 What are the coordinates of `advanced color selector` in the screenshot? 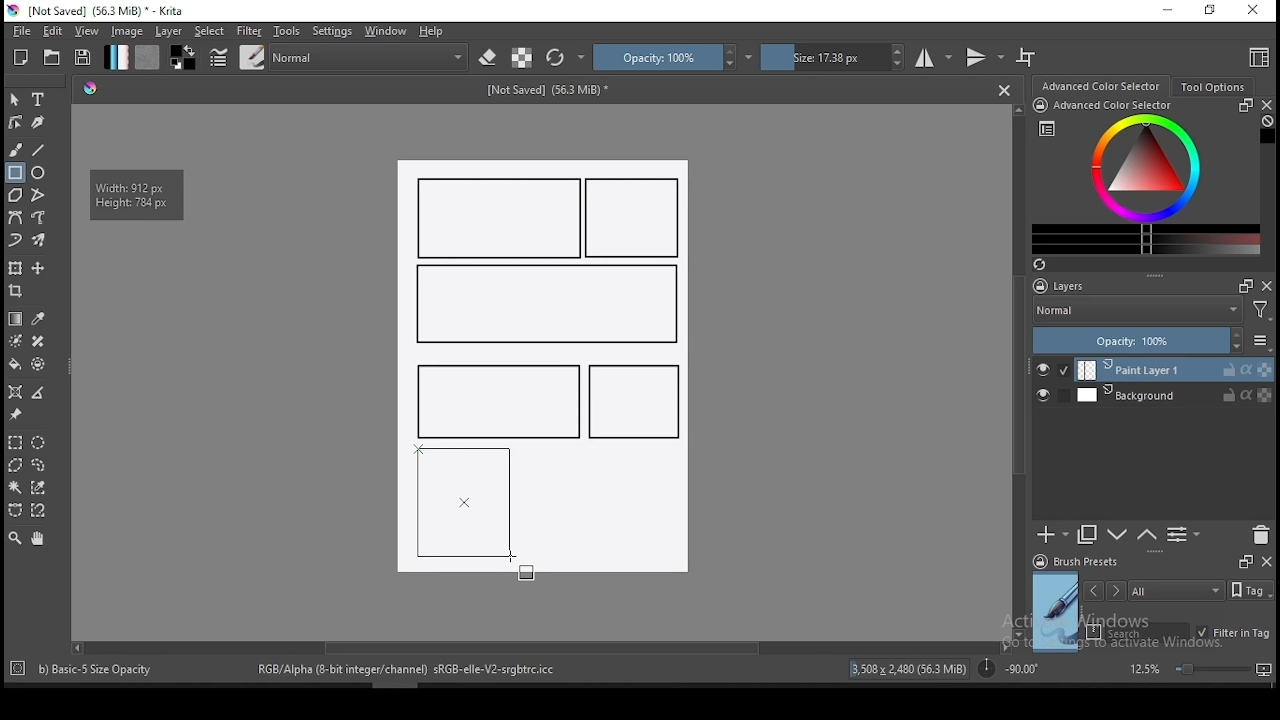 It's located at (1142, 176).